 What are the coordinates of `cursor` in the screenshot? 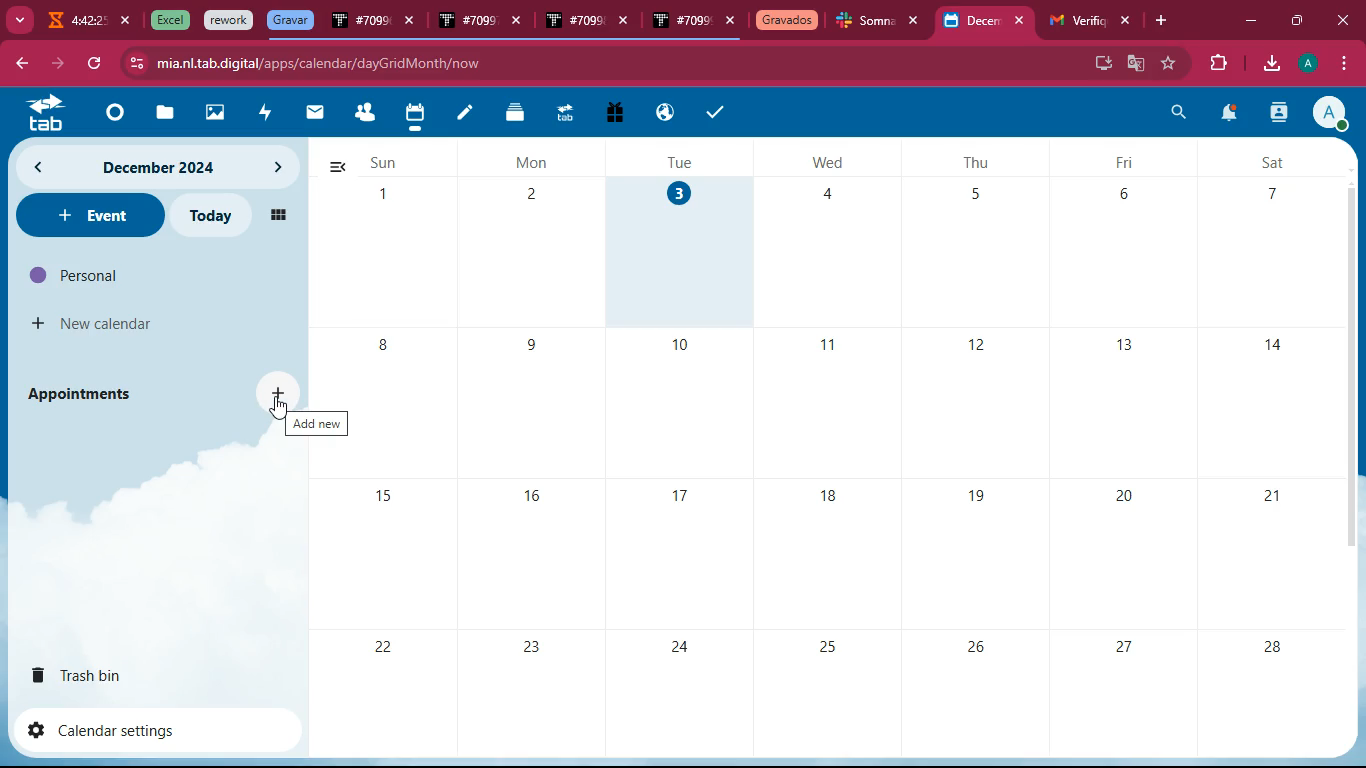 It's located at (278, 412).